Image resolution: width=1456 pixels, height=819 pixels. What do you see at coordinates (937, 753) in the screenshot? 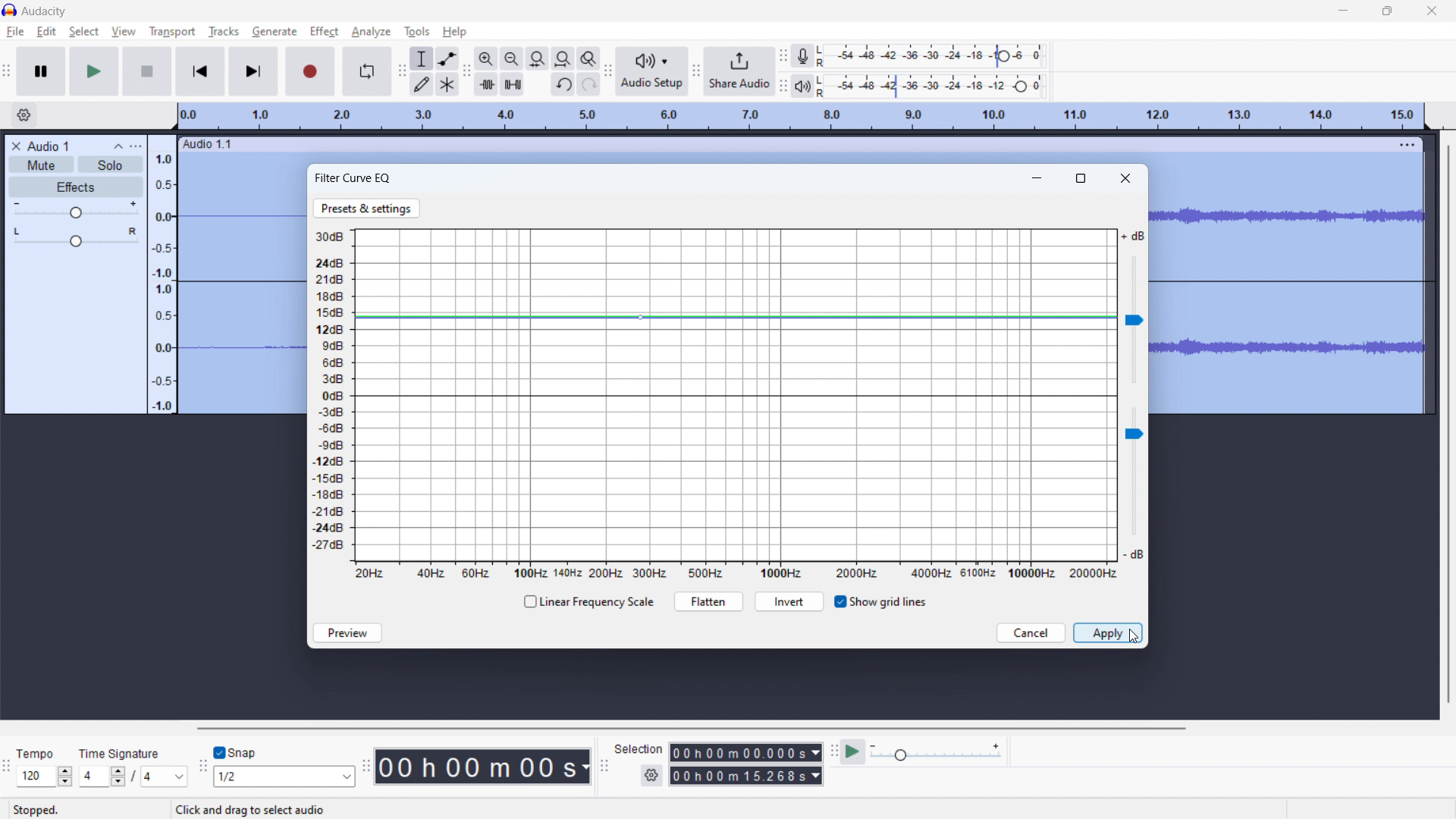
I see `playback speed` at bounding box center [937, 753].